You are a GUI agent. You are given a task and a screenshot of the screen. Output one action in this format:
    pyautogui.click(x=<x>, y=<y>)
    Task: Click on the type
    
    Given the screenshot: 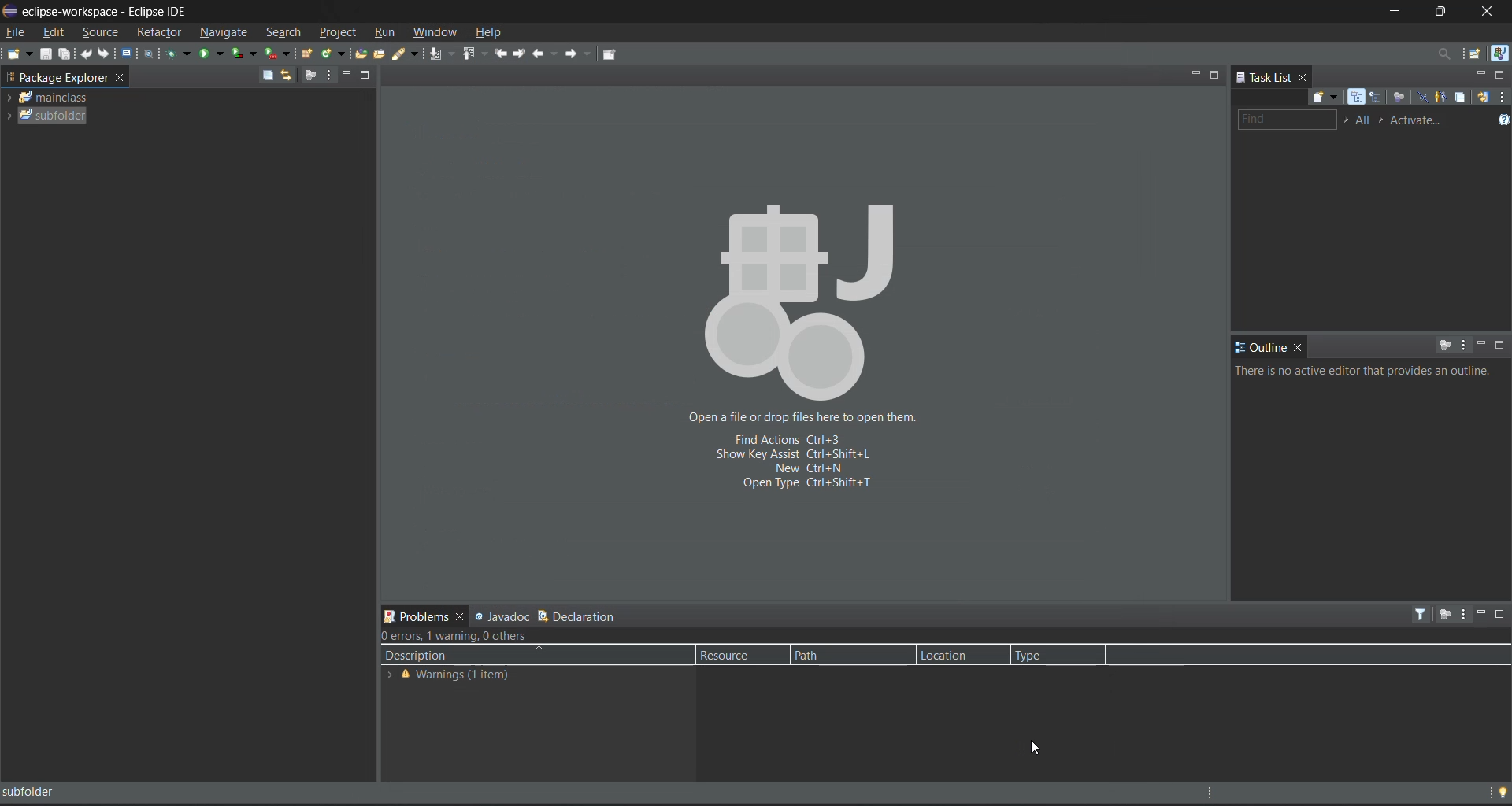 What is the action you would take?
    pyautogui.click(x=1049, y=655)
    